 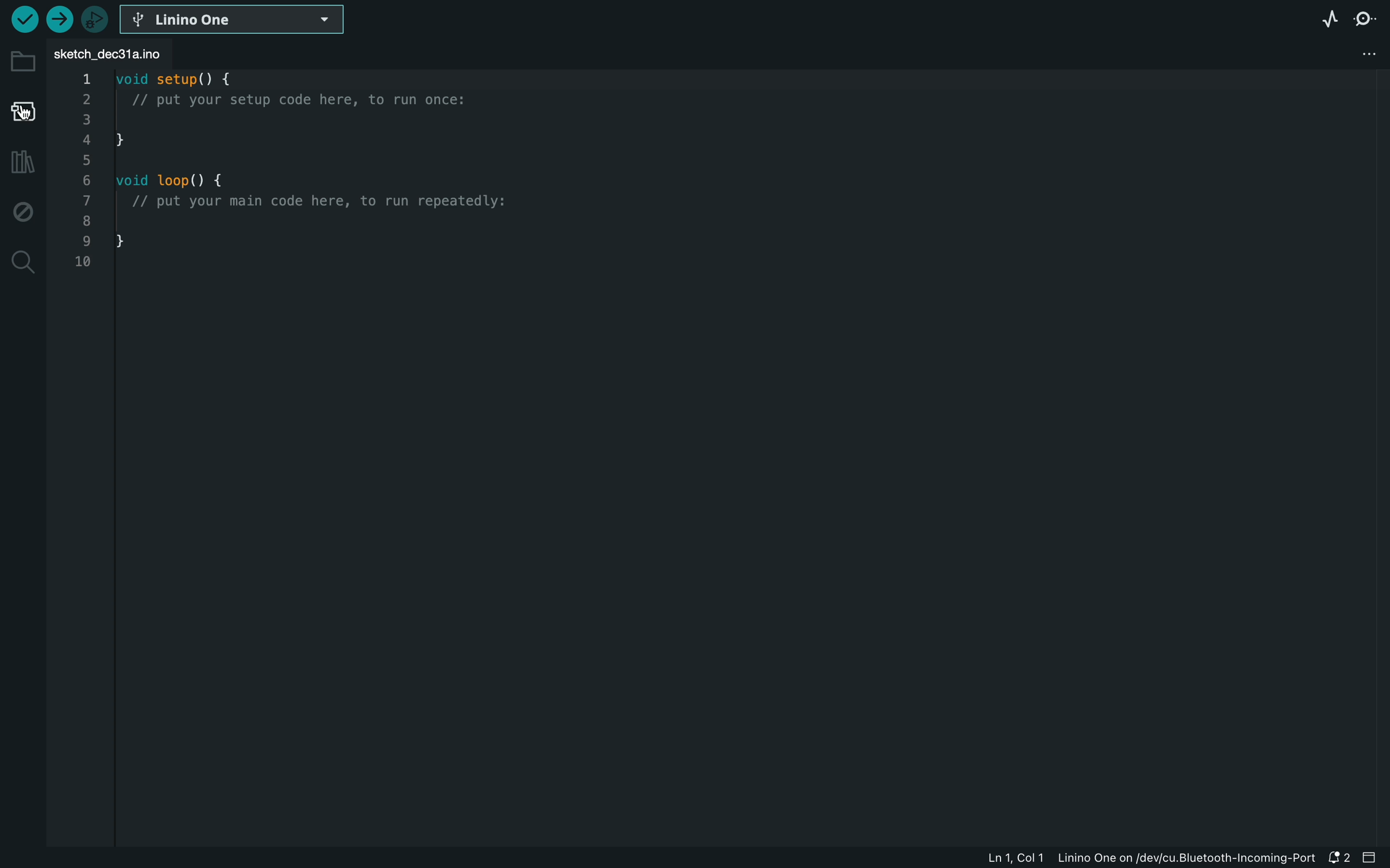 I want to click on code, so click(x=319, y=171).